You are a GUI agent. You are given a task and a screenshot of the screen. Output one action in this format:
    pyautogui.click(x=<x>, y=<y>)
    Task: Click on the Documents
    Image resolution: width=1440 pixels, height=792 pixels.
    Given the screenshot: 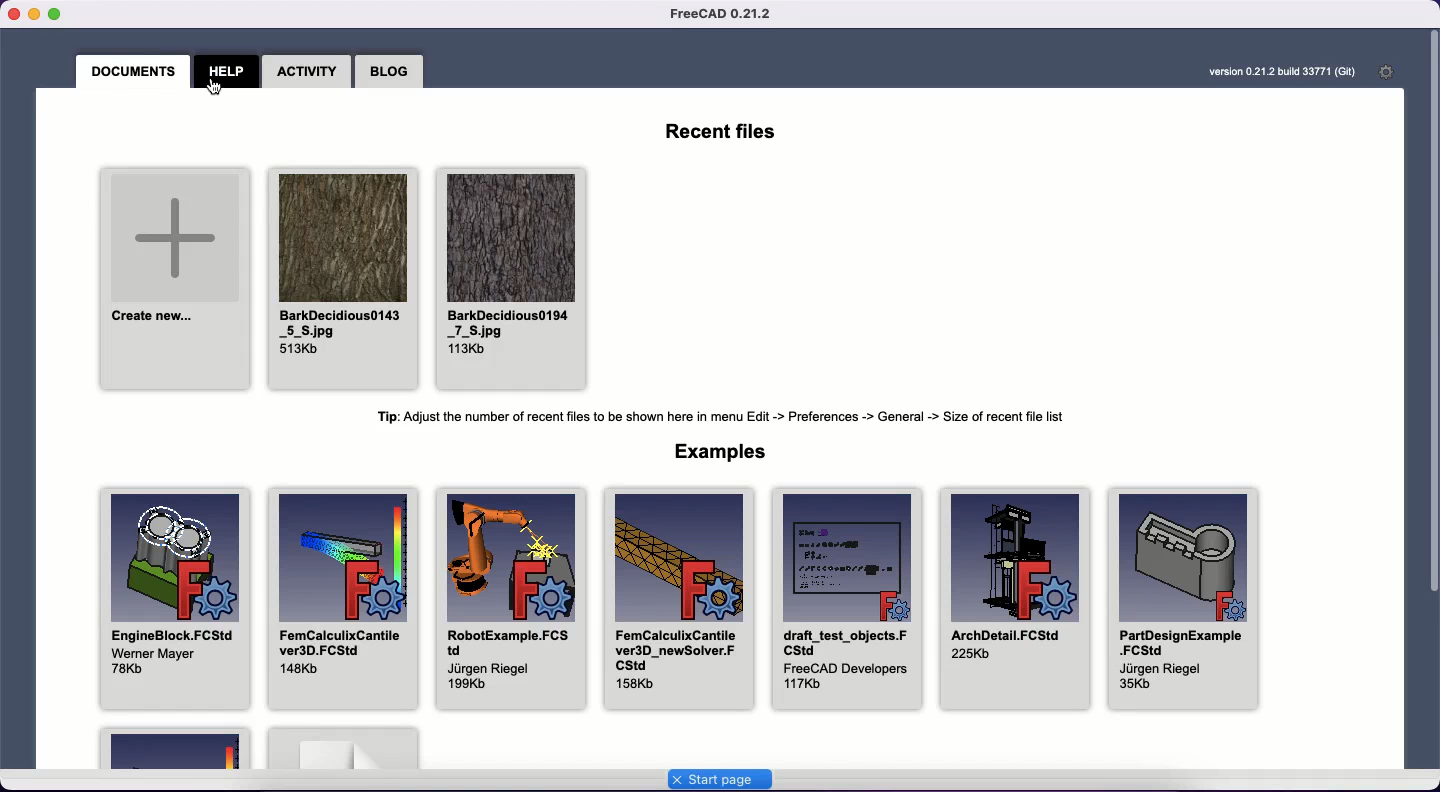 What is the action you would take?
    pyautogui.click(x=135, y=70)
    